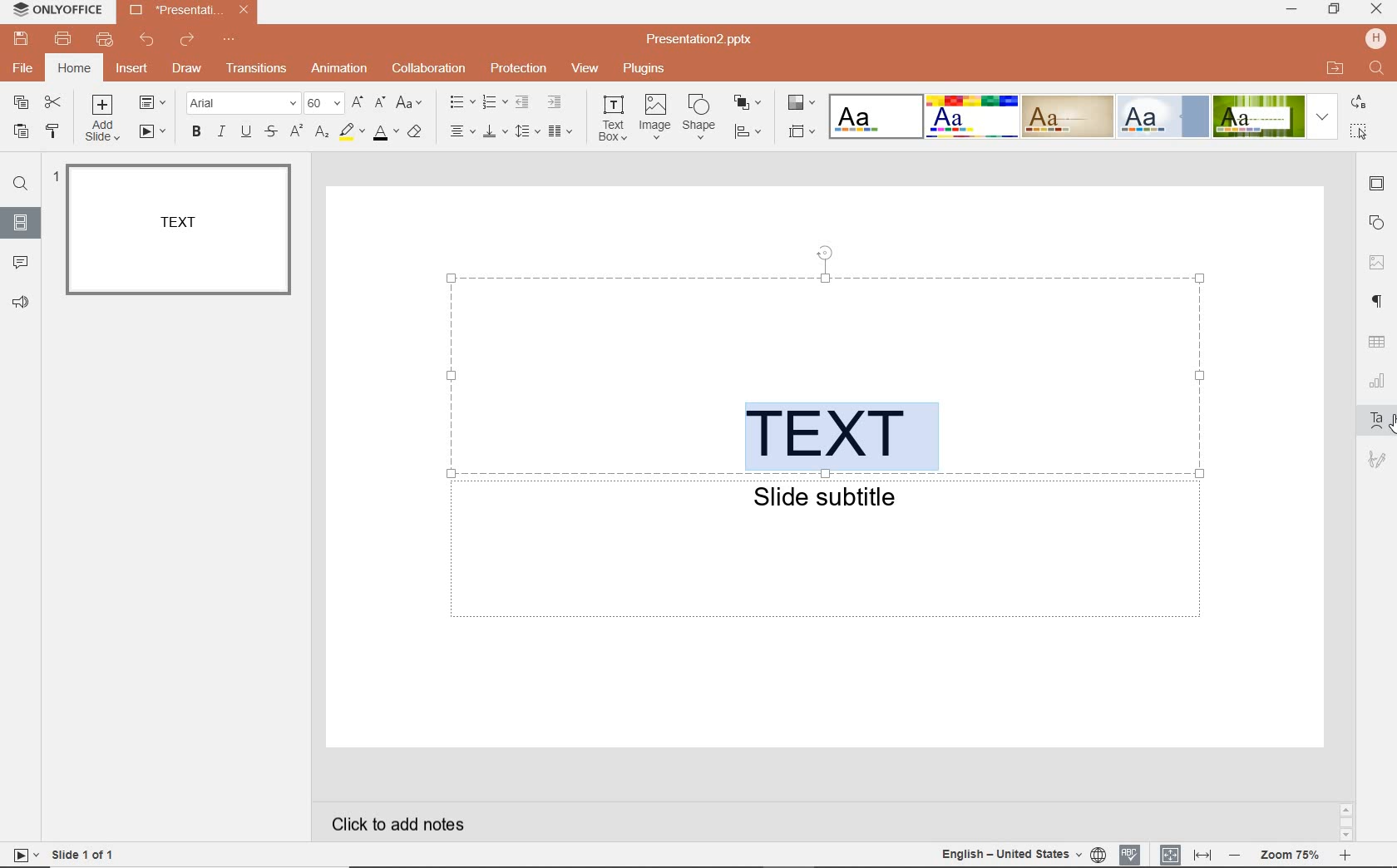 The height and width of the screenshot is (868, 1397). Describe the element at coordinates (54, 104) in the screenshot. I see `CUT` at that location.